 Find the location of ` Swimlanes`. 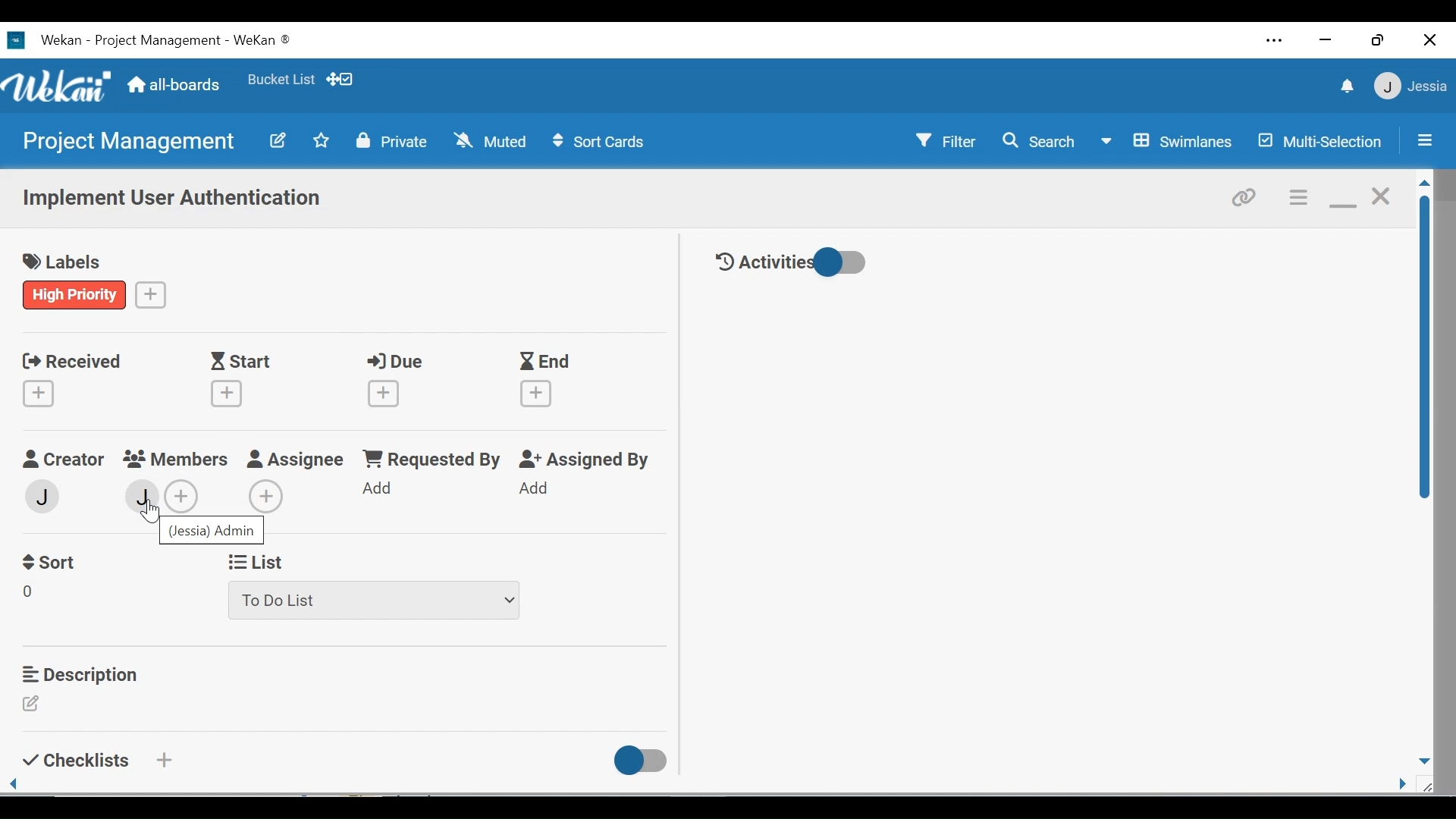

 Swimlanes is located at coordinates (1170, 143).